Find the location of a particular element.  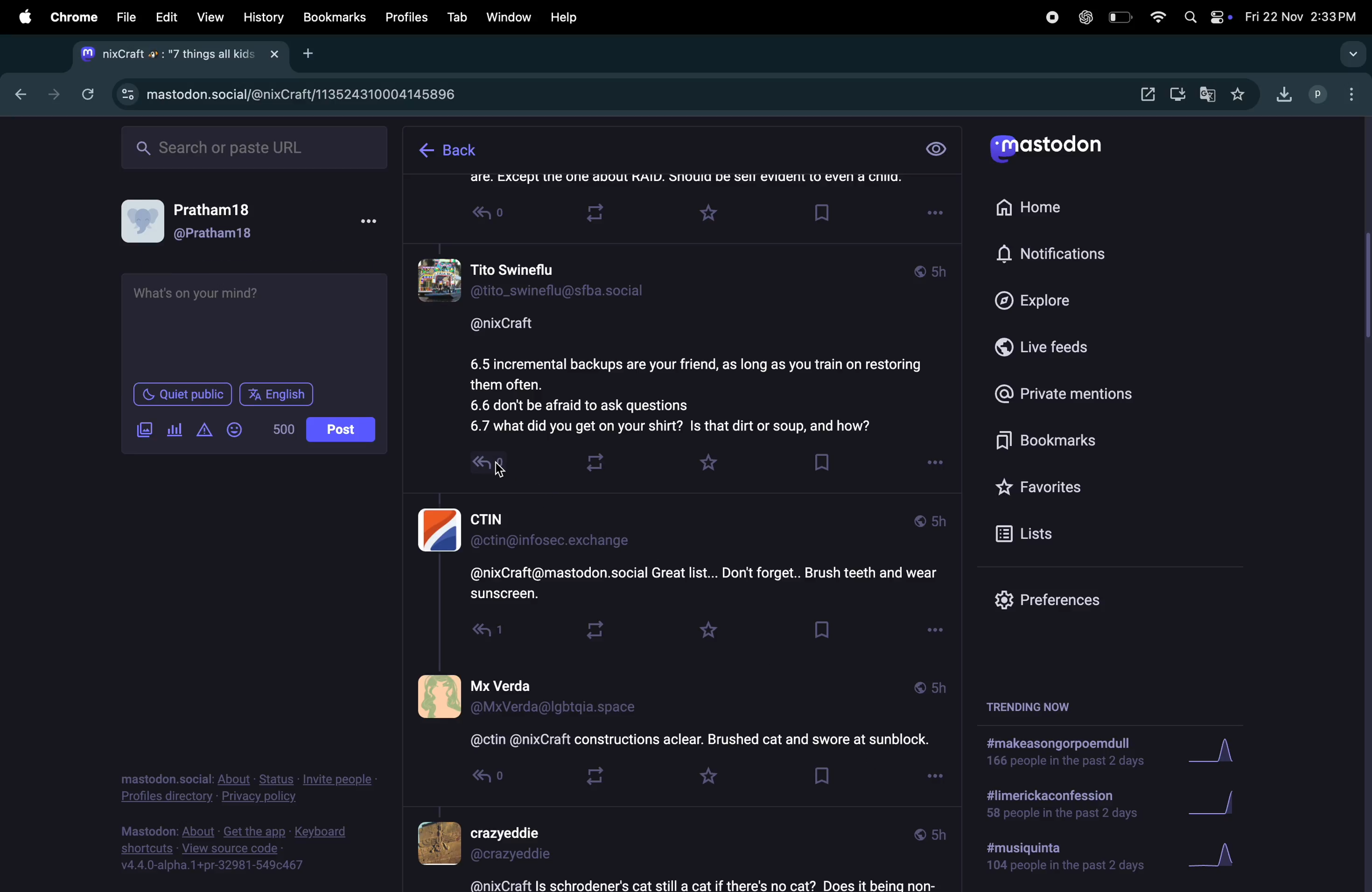

notifications is located at coordinates (1056, 255).